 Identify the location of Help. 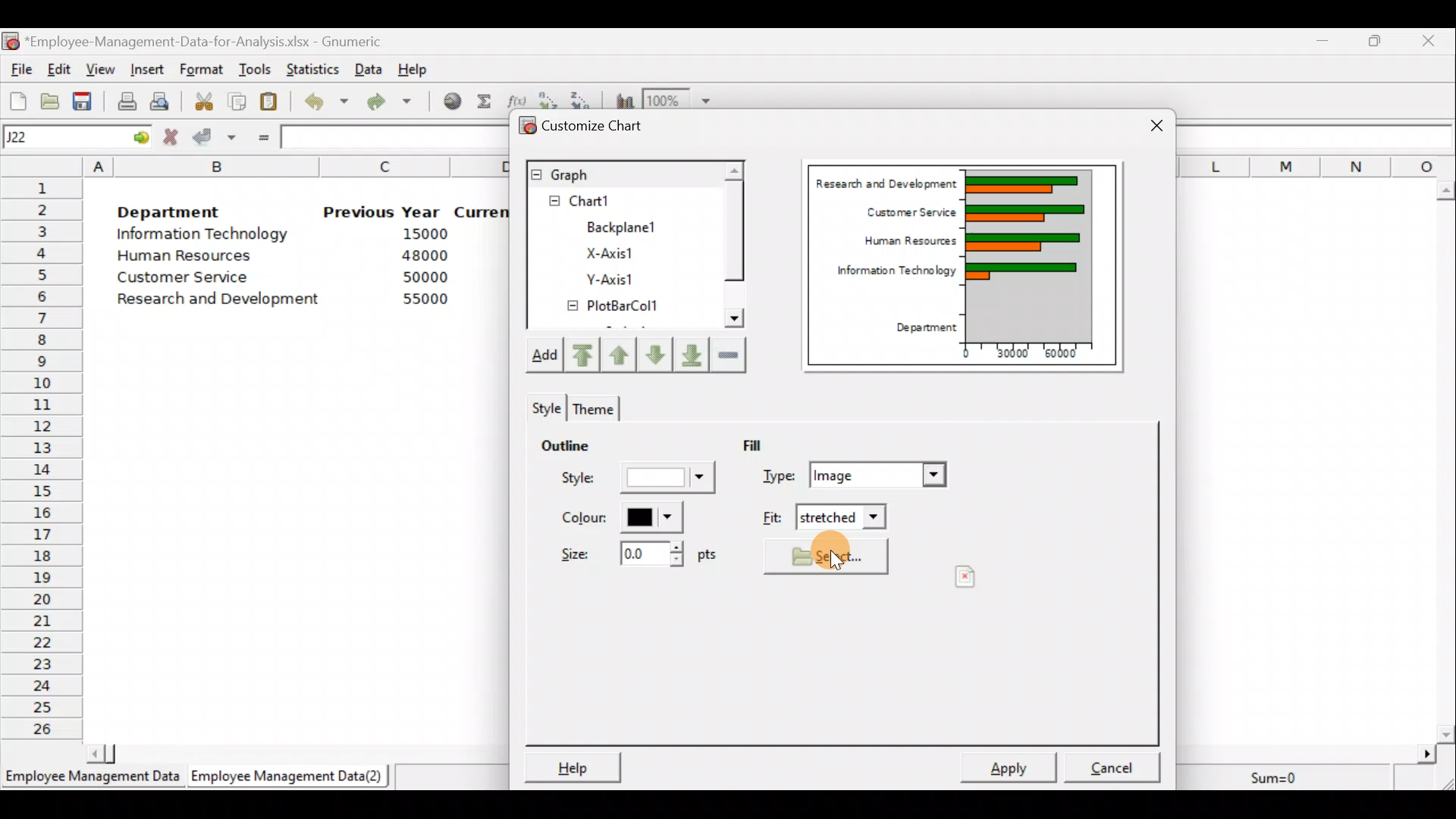
(573, 764).